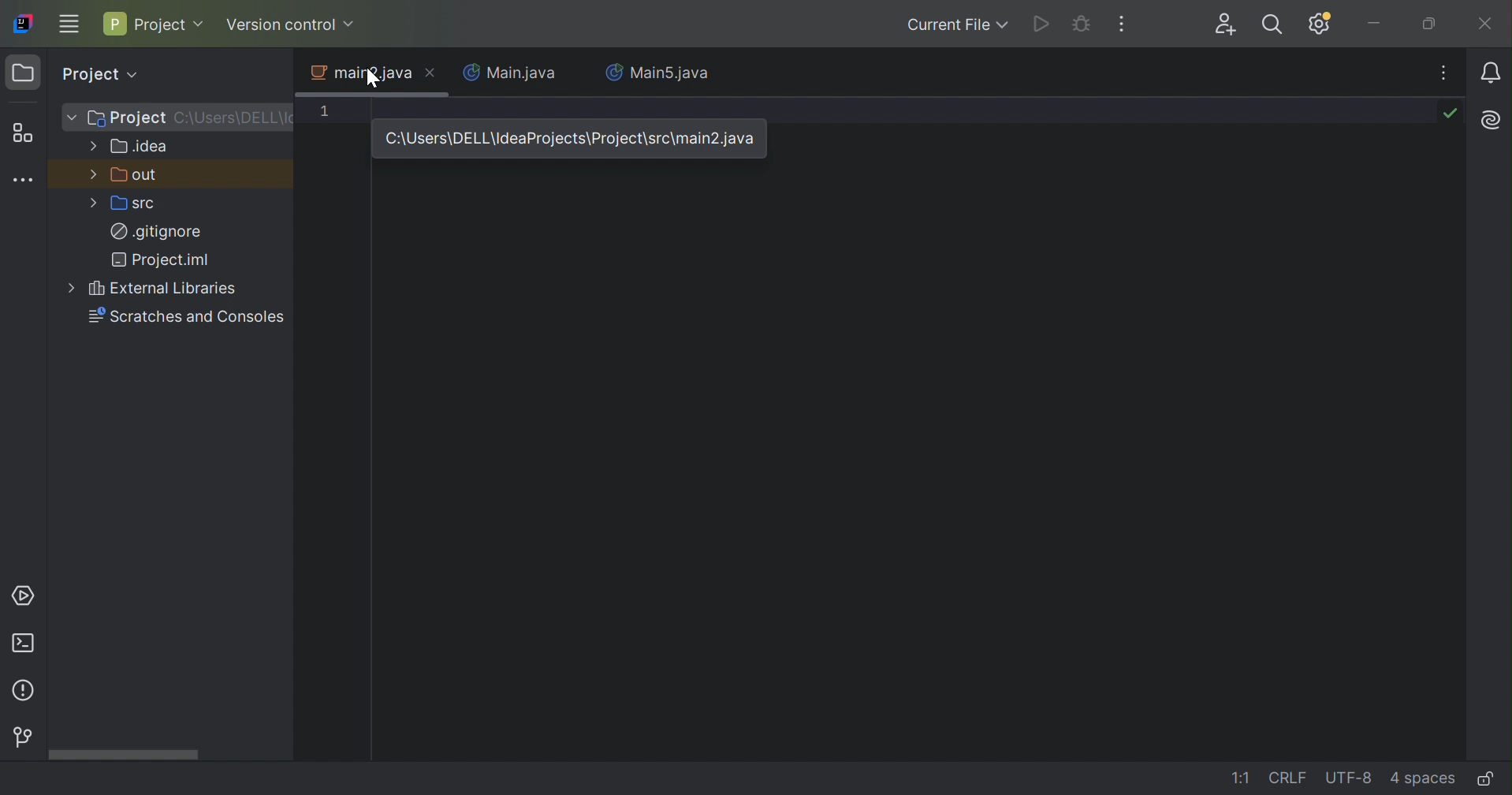 Image resolution: width=1512 pixels, height=795 pixels. I want to click on No problems found, so click(1450, 112).